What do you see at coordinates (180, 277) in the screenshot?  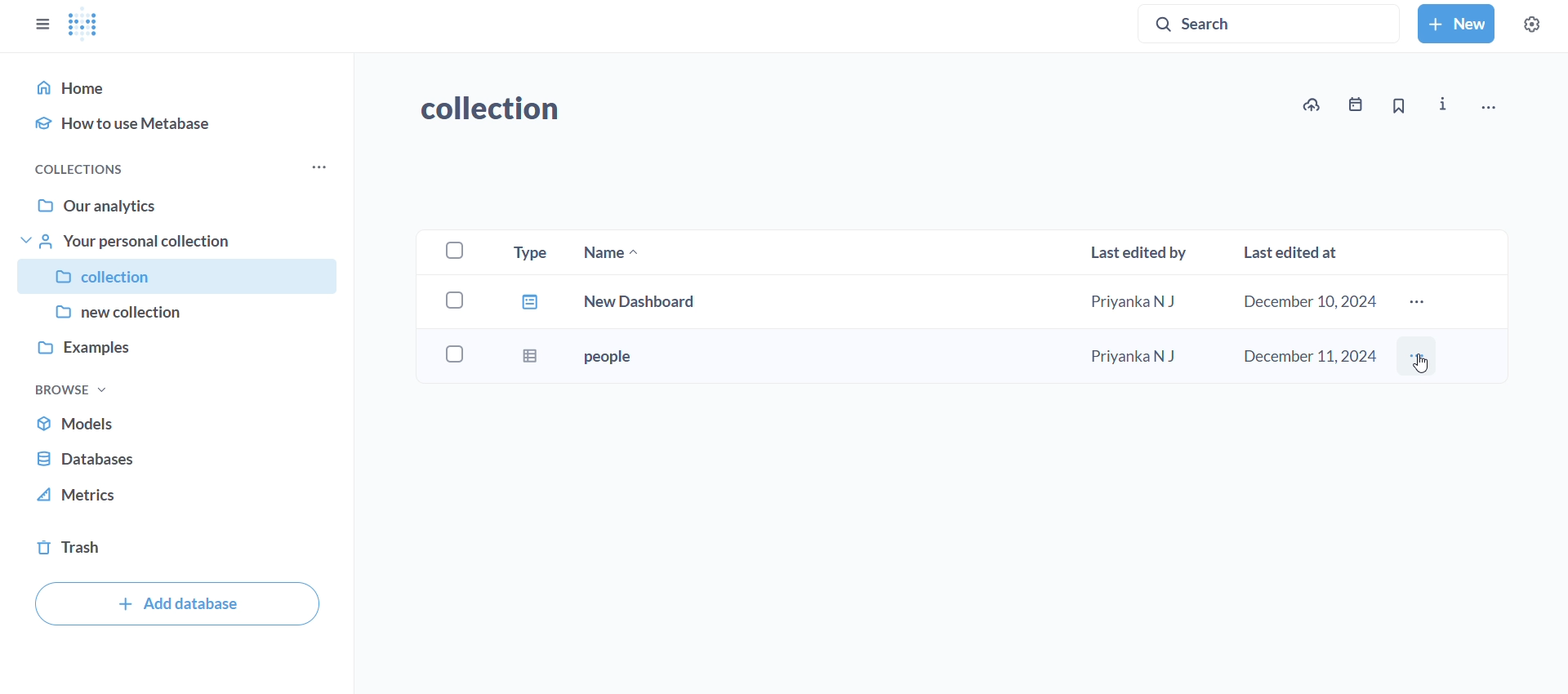 I see `collection` at bounding box center [180, 277].